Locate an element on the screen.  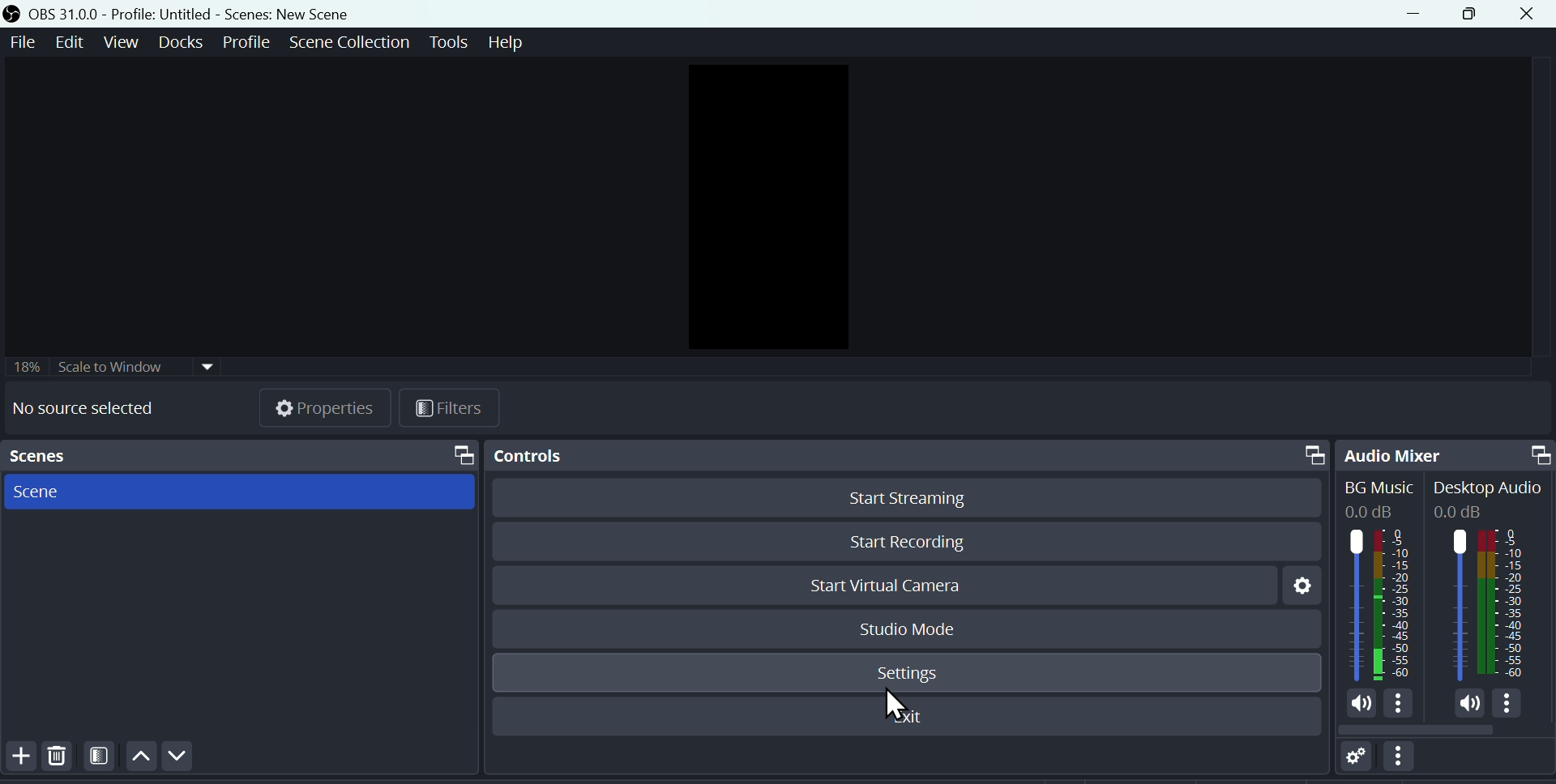
Settings is located at coordinates (1294, 588).